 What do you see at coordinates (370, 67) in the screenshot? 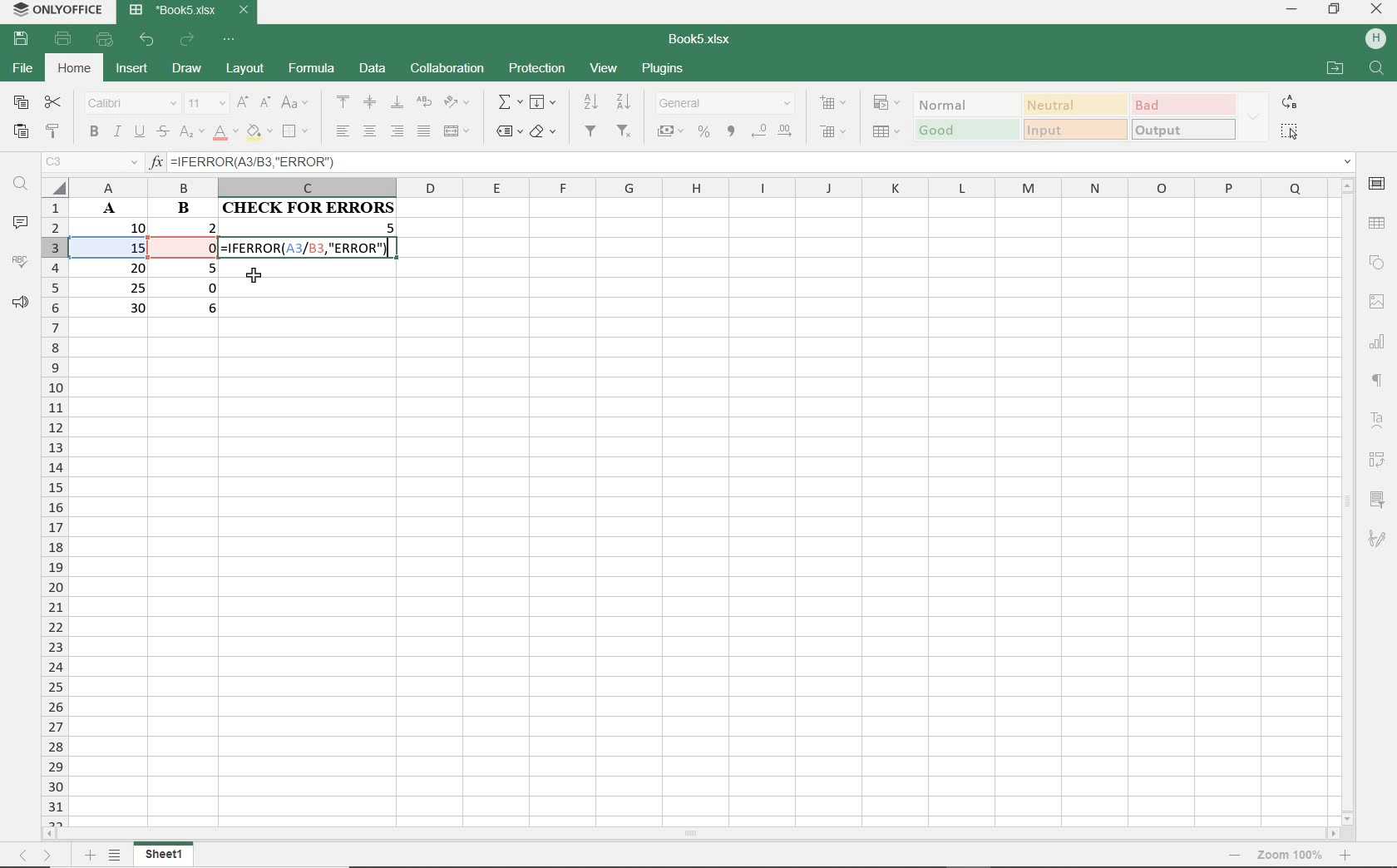
I see `DATA` at bounding box center [370, 67].